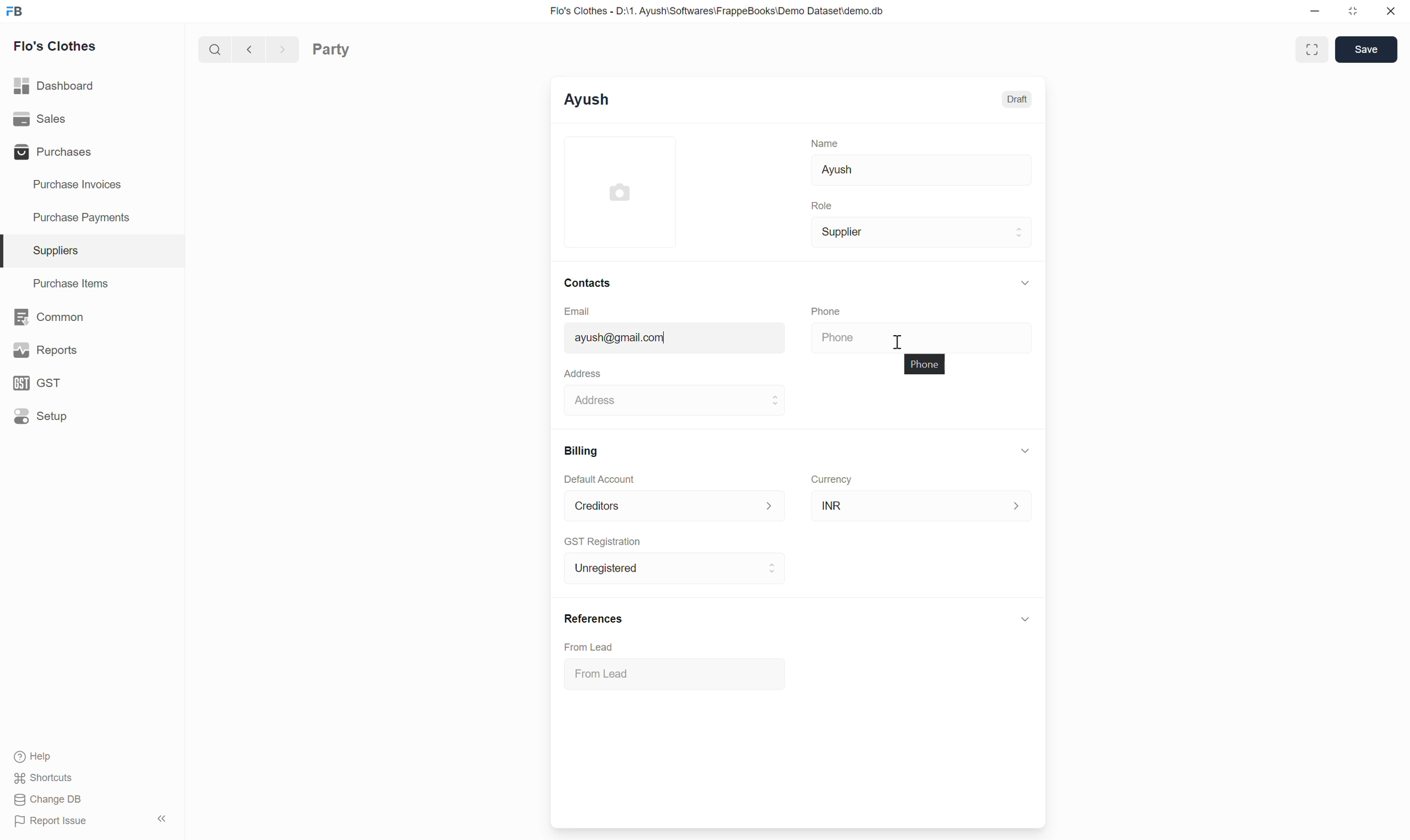 The image size is (1410, 840). I want to click on Frappe Books logo, so click(14, 11).